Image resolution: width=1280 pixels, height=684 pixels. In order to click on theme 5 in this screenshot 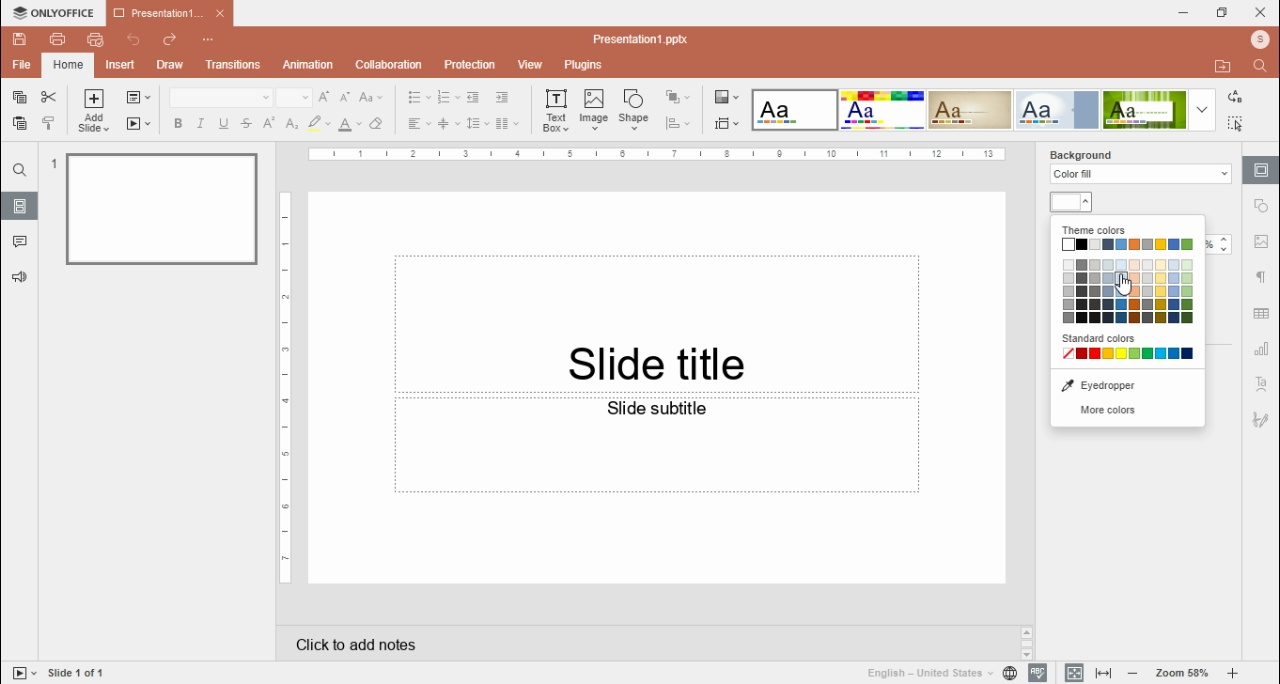, I will do `click(1145, 111)`.